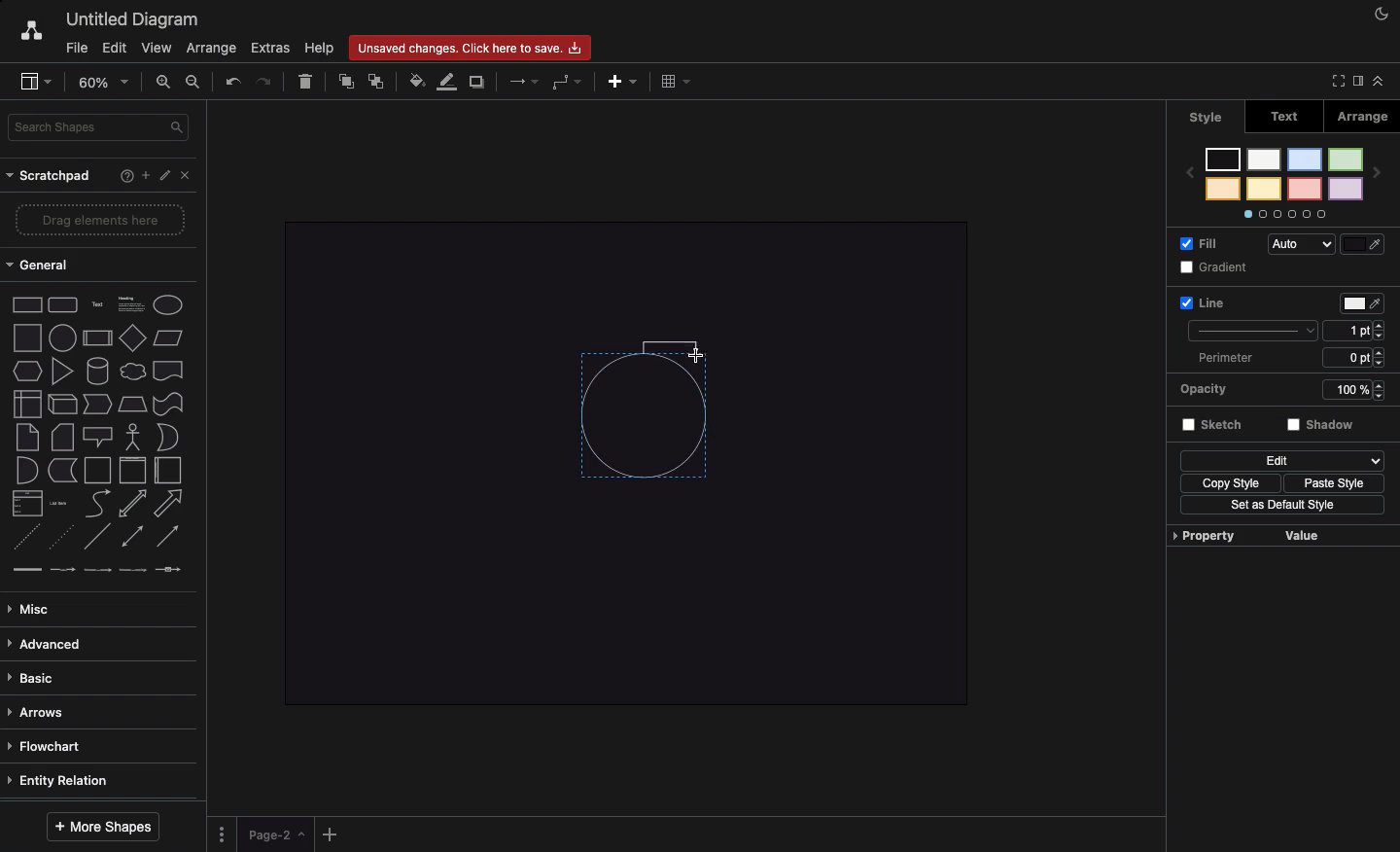 The image size is (1400, 852). What do you see at coordinates (701, 359) in the screenshot?
I see `Mouse up` at bounding box center [701, 359].